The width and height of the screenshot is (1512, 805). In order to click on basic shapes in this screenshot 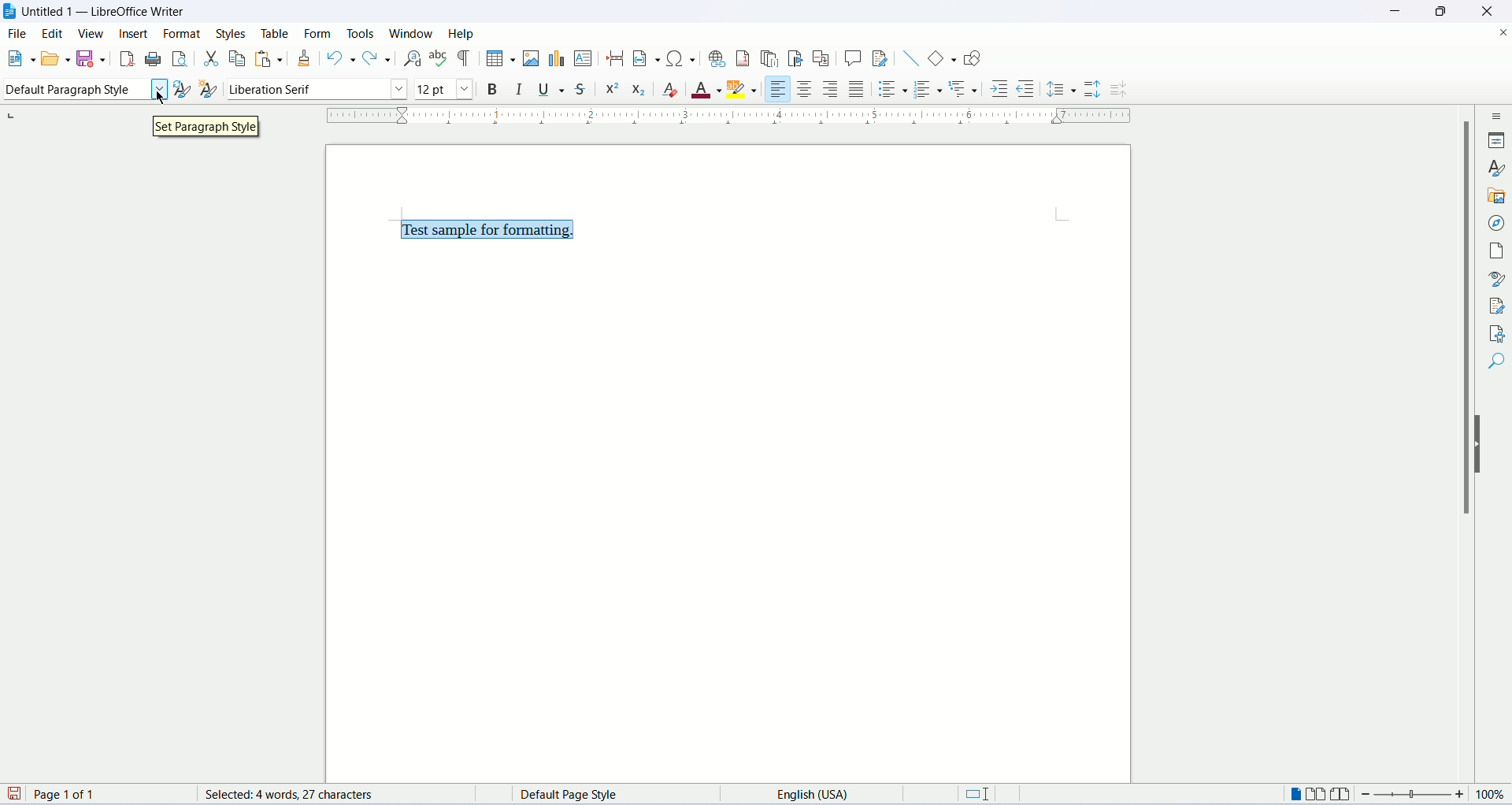, I will do `click(939, 57)`.